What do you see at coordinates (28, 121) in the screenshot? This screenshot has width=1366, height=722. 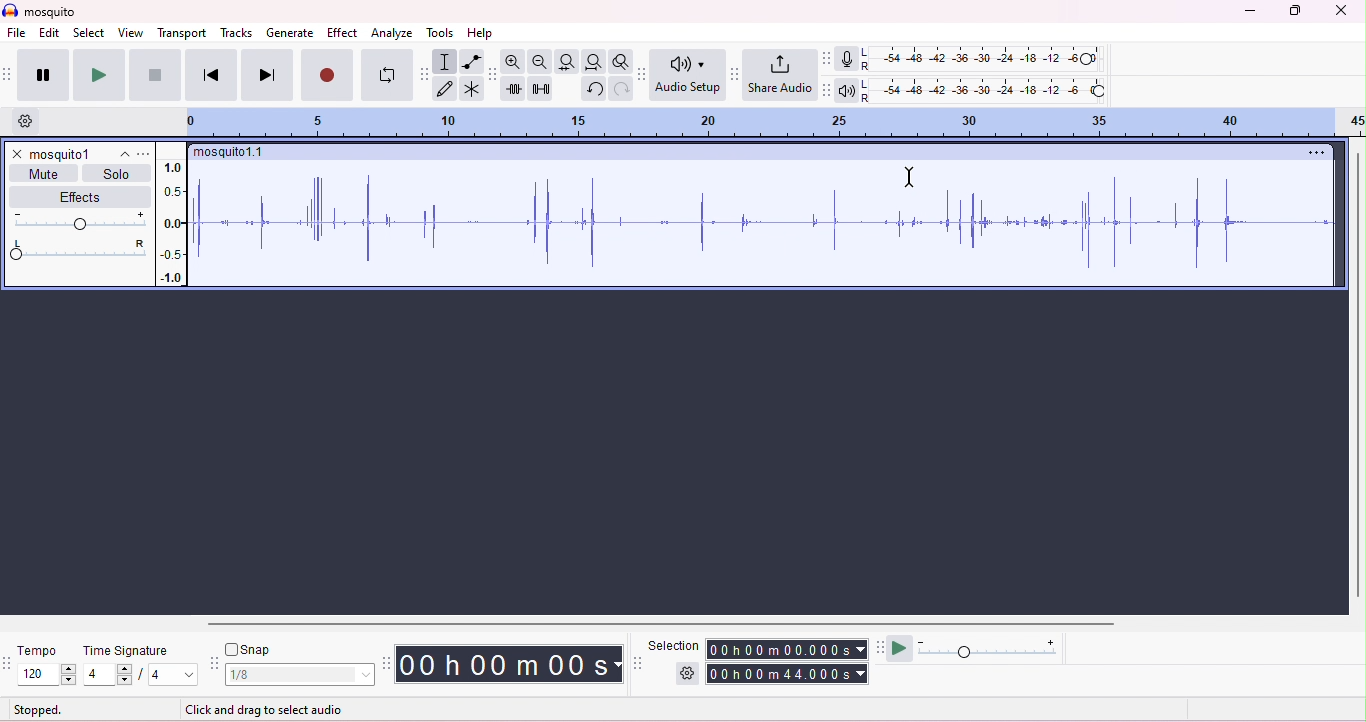 I see `timeline options` at bounding box center [28, 121].